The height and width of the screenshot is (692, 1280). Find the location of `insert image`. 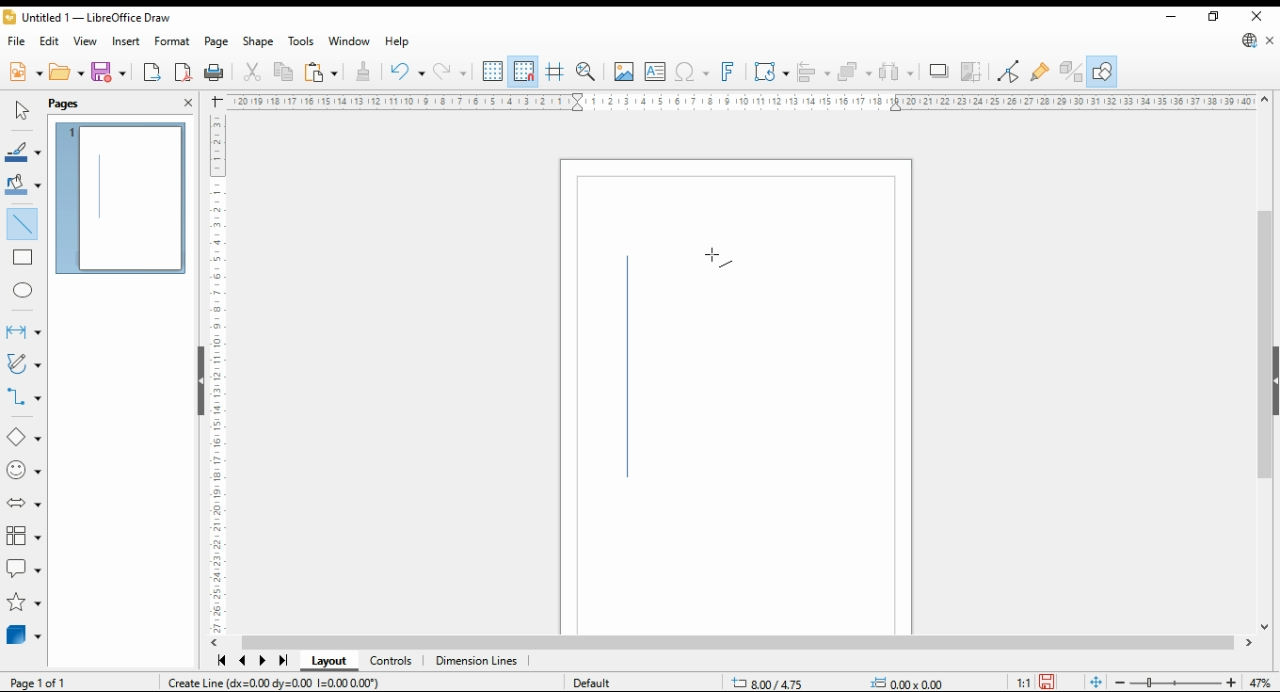

insert image is located at coordinates (624, 71).